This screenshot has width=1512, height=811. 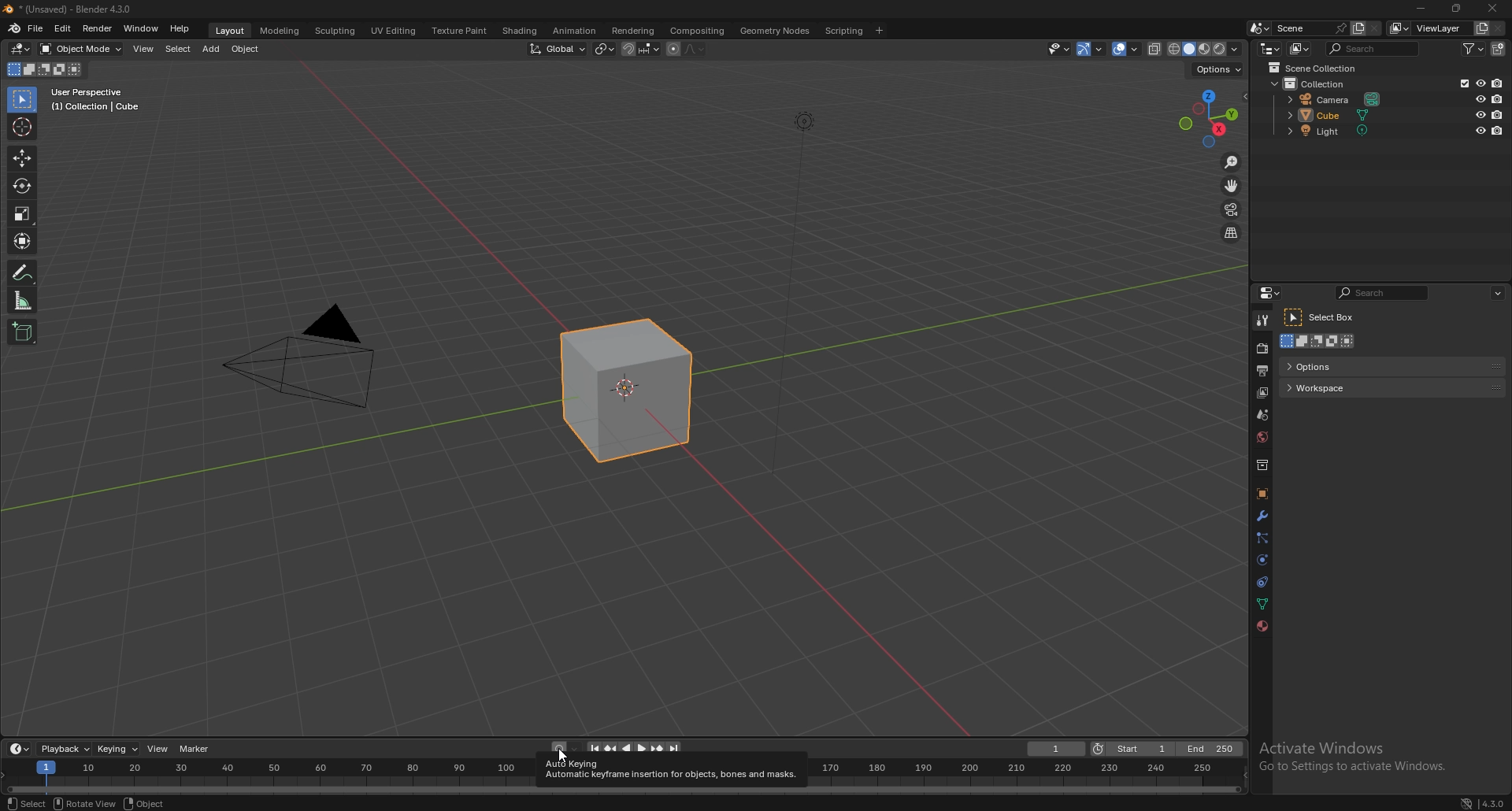 I want to click on disable in render, so click(x=1498, y=83).